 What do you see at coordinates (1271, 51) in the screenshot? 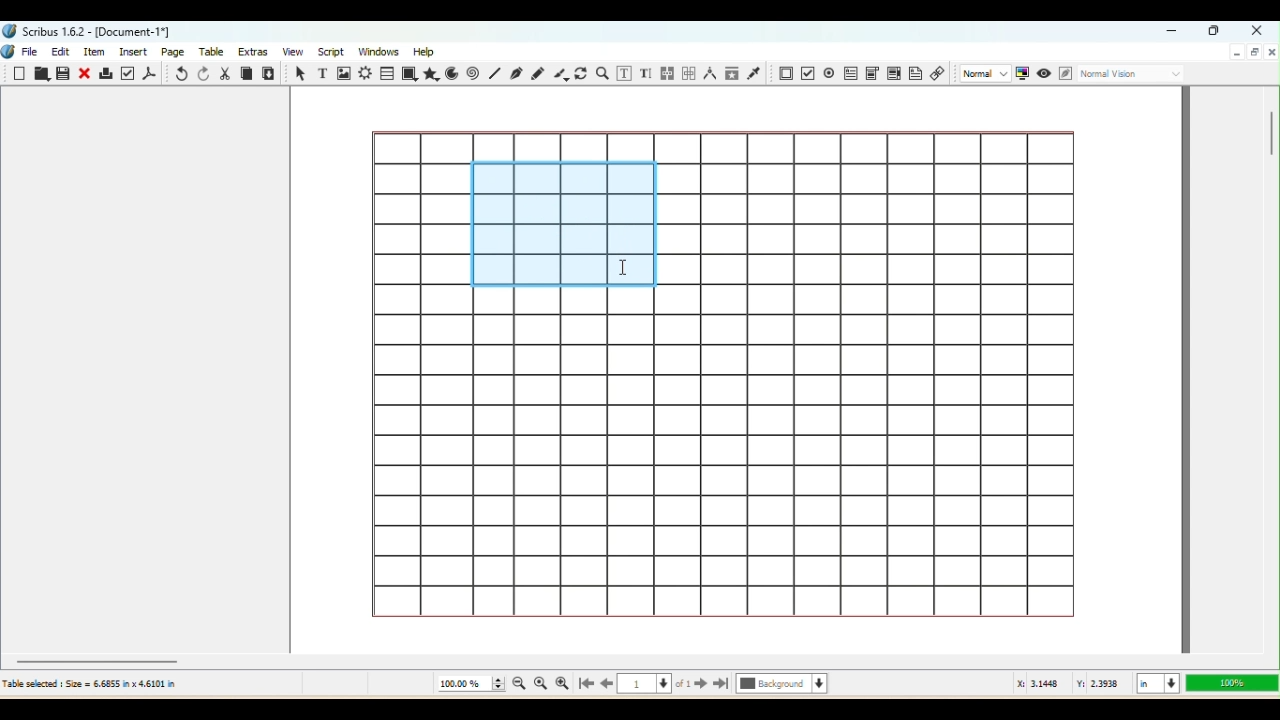
I see `Close document` at bounding box center [1271, 51].